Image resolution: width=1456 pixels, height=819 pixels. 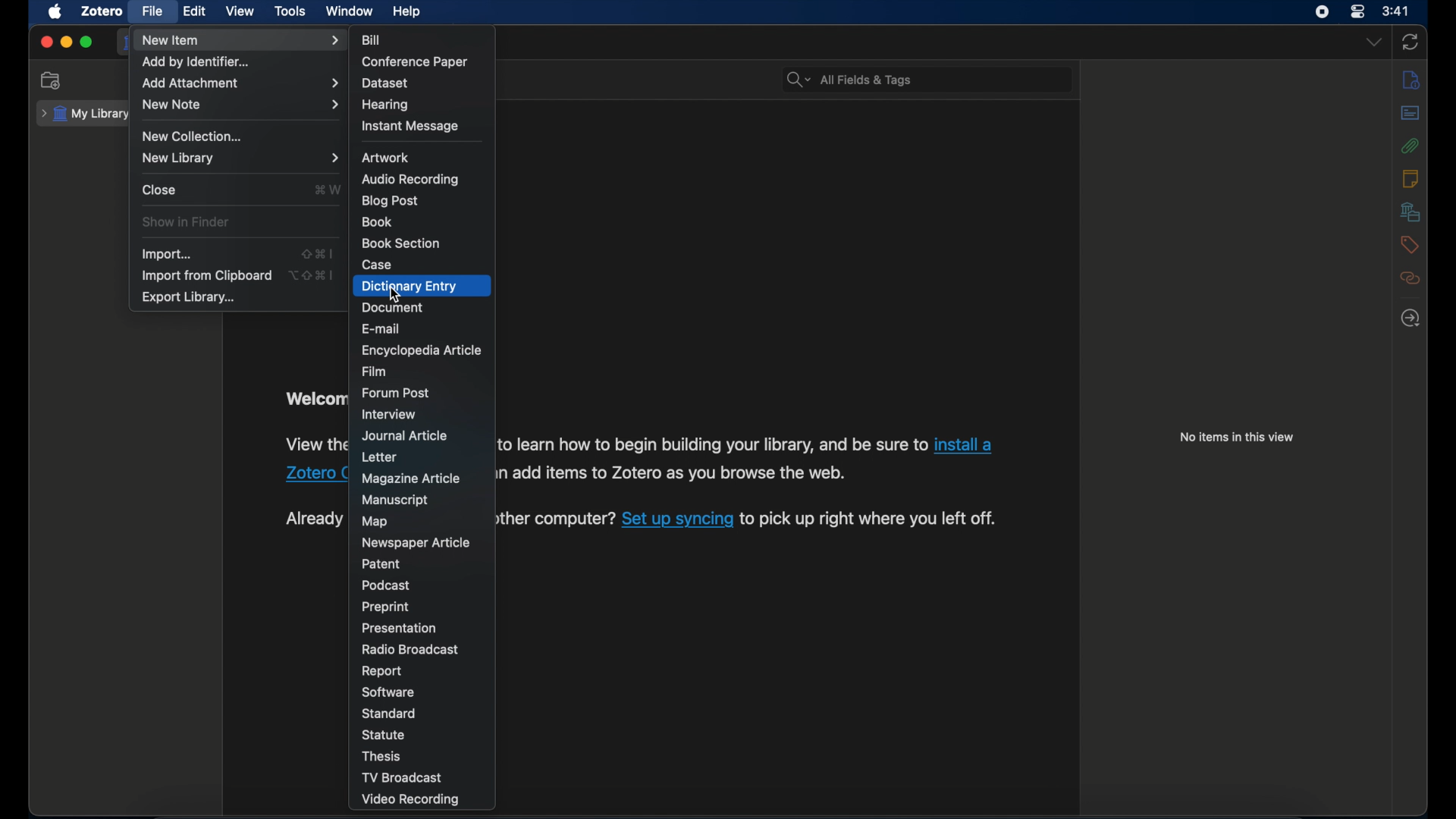 What do you see at coordinates (378, 458) in the screenshot?
I see `letter` at bounding box center [378, 458].